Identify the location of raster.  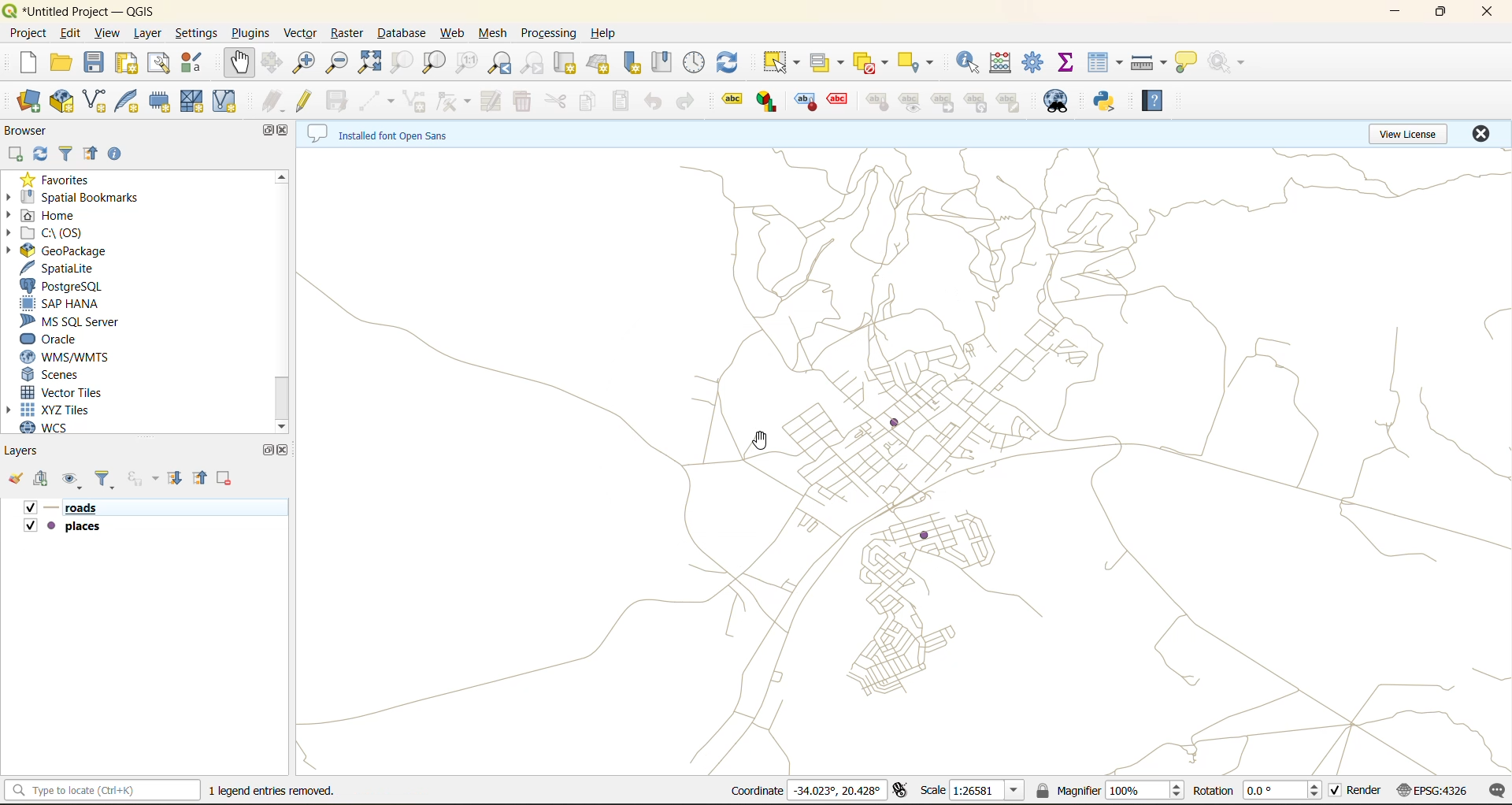
(345, 34).